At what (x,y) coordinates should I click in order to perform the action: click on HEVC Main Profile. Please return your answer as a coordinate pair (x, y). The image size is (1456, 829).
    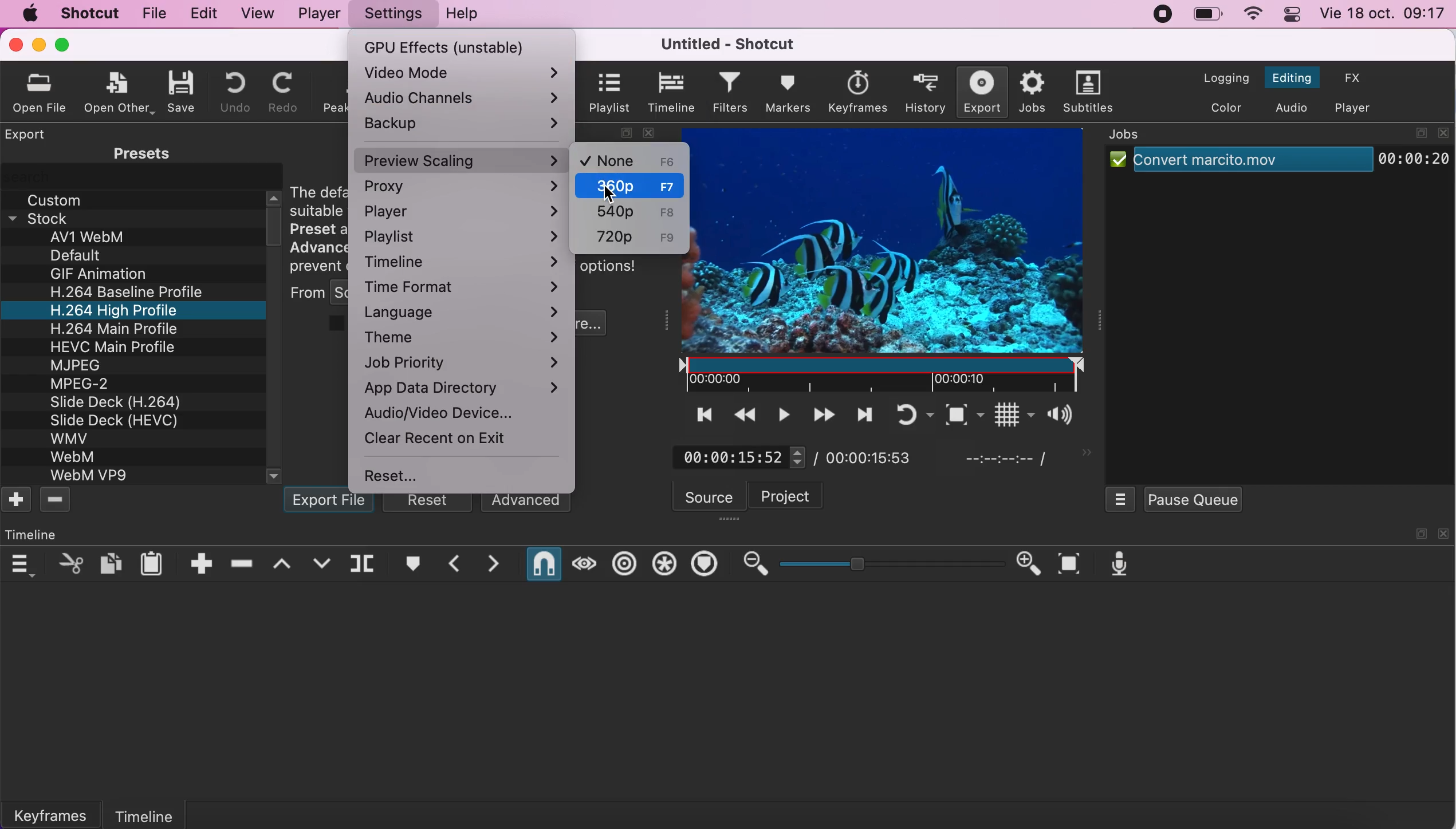
    Looking at the image, I should click on (114, 345).